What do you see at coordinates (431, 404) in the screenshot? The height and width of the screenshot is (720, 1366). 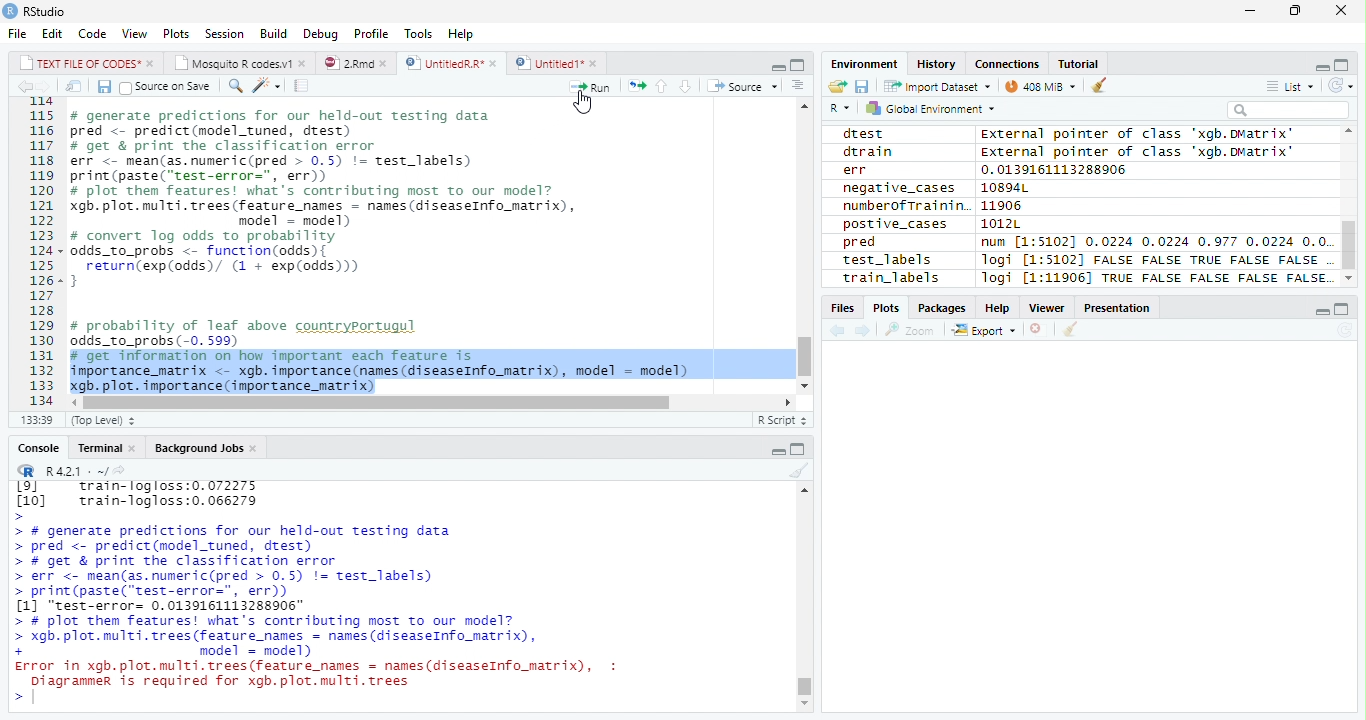 I see `Scroll` at bounding box center [431, 404].